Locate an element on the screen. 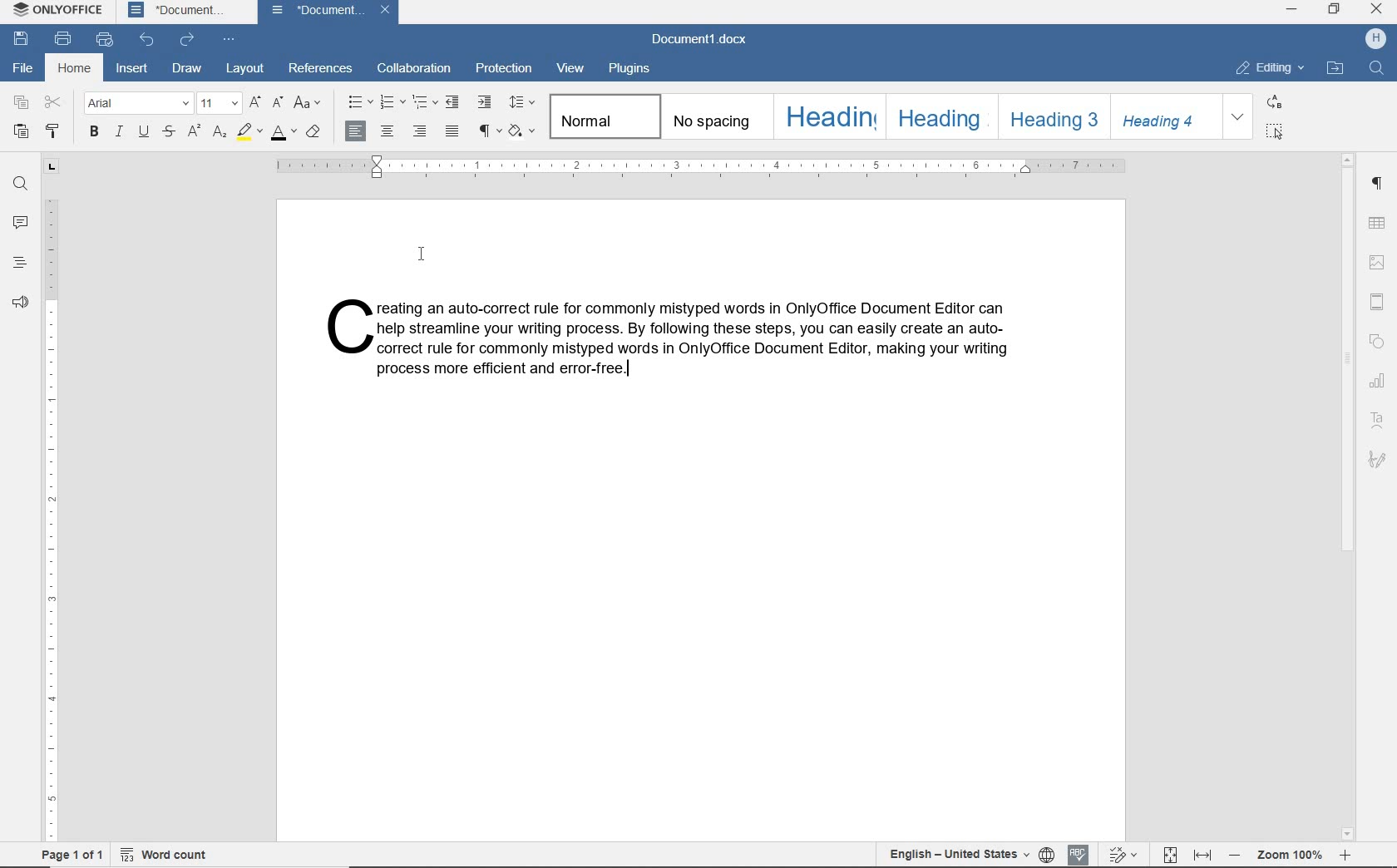 This screenshot has height=868, width=1397. ALIGN LEFT is located at coordinates (357, 131).